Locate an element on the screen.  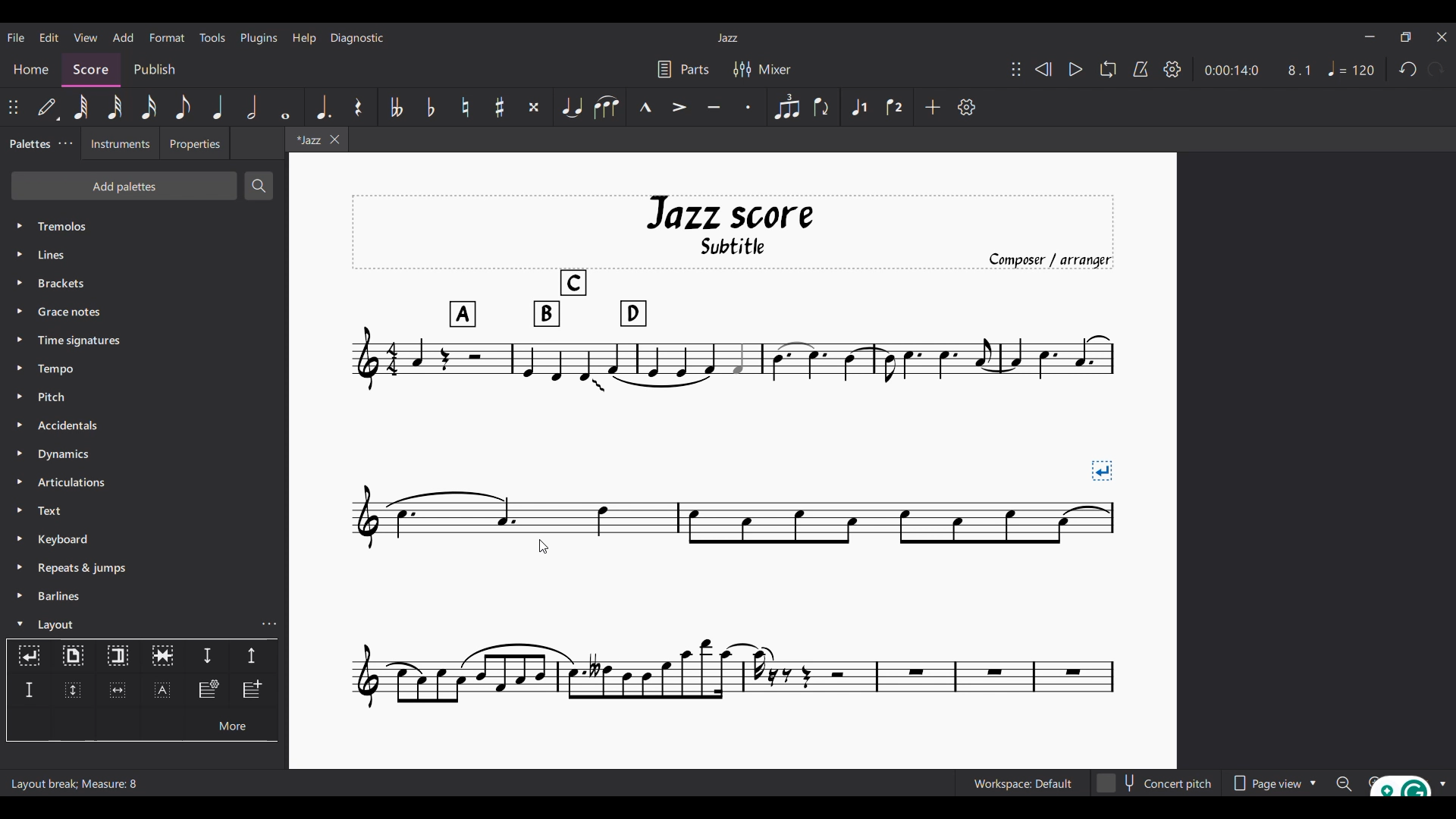
Toggle flat is located at coordinates (431, 107).